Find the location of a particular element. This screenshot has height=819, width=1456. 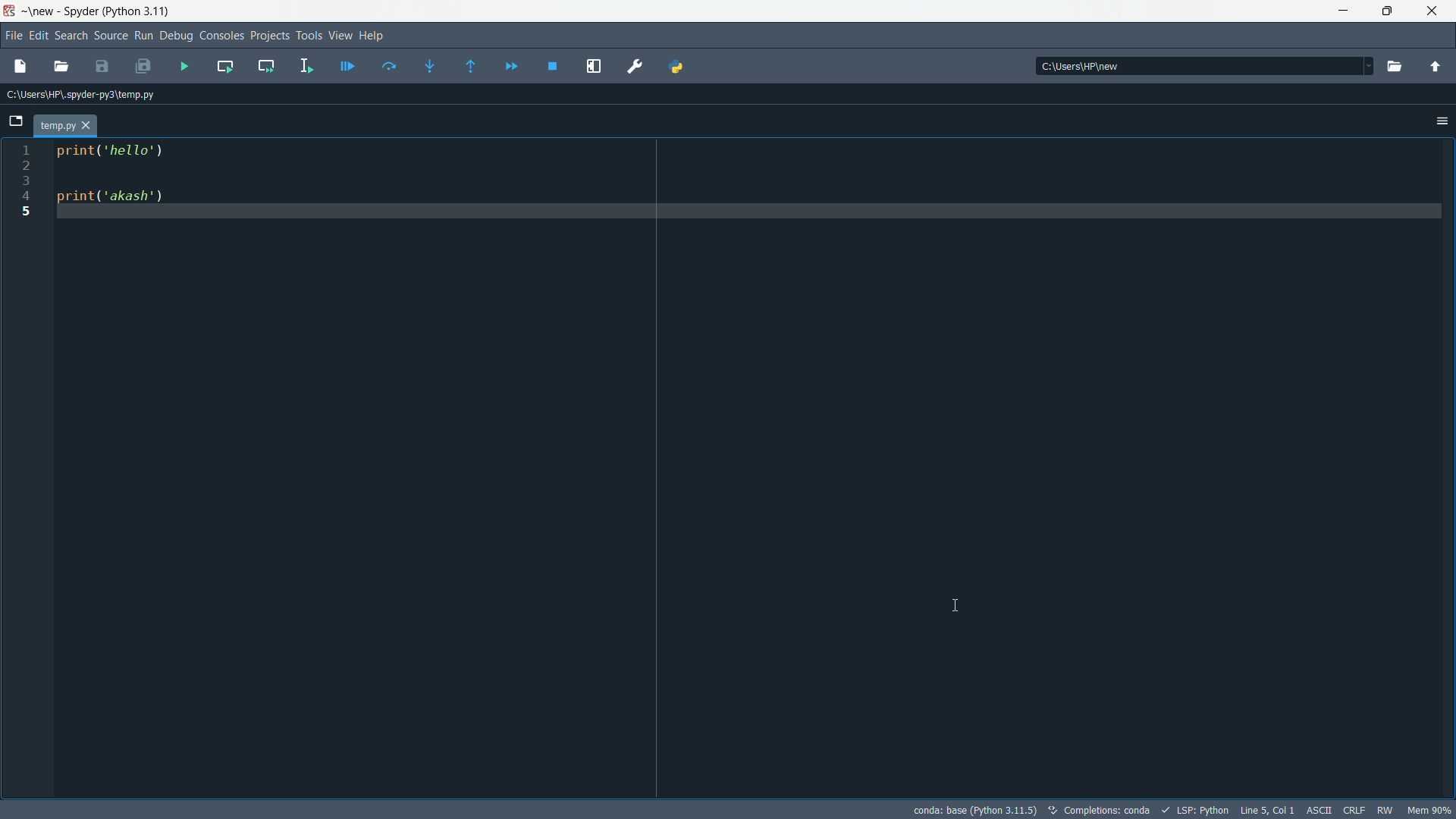

file is located at coordinates (65, 124).